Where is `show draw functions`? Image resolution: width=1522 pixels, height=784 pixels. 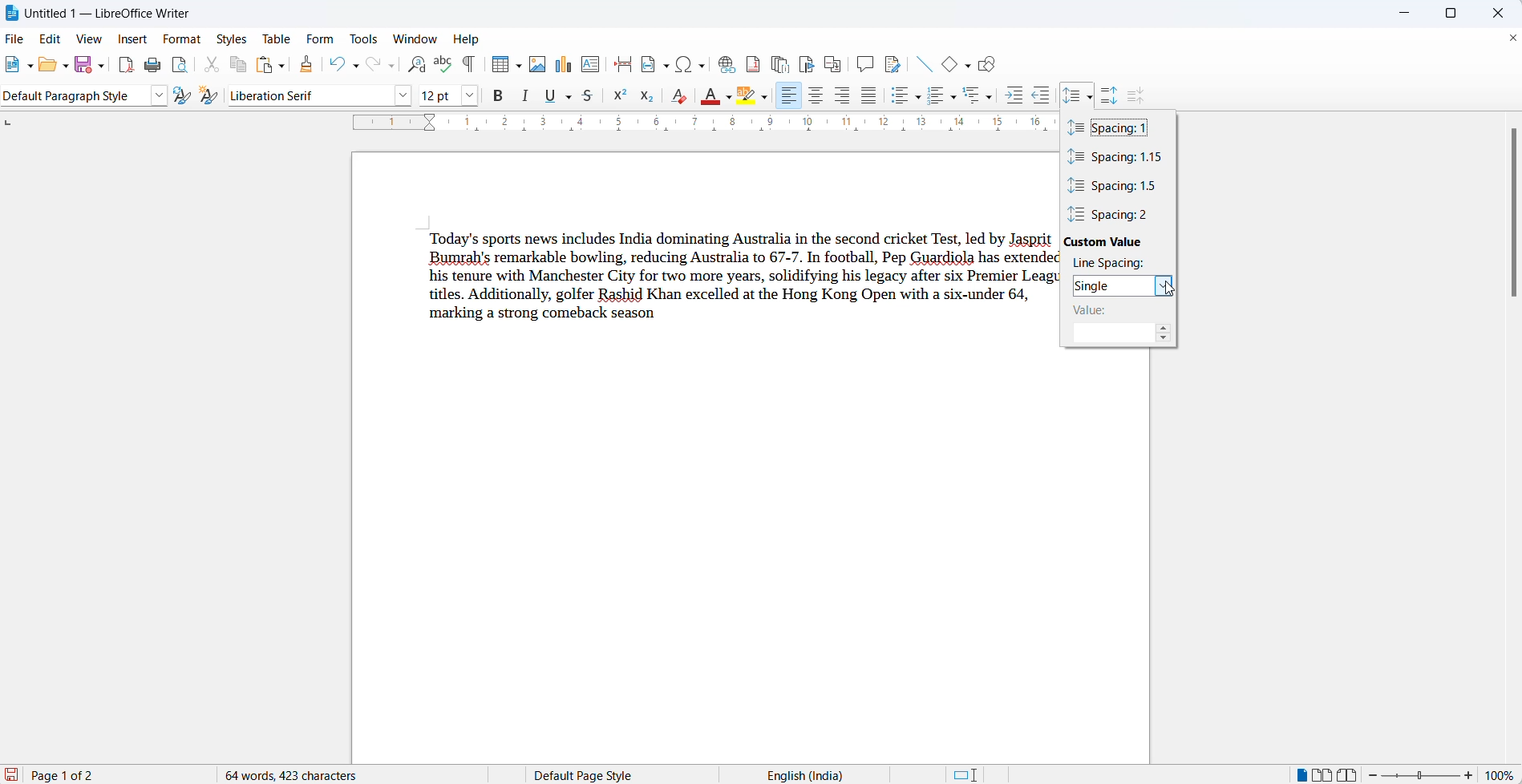
show draw functions is located at coordinates (993, 65).